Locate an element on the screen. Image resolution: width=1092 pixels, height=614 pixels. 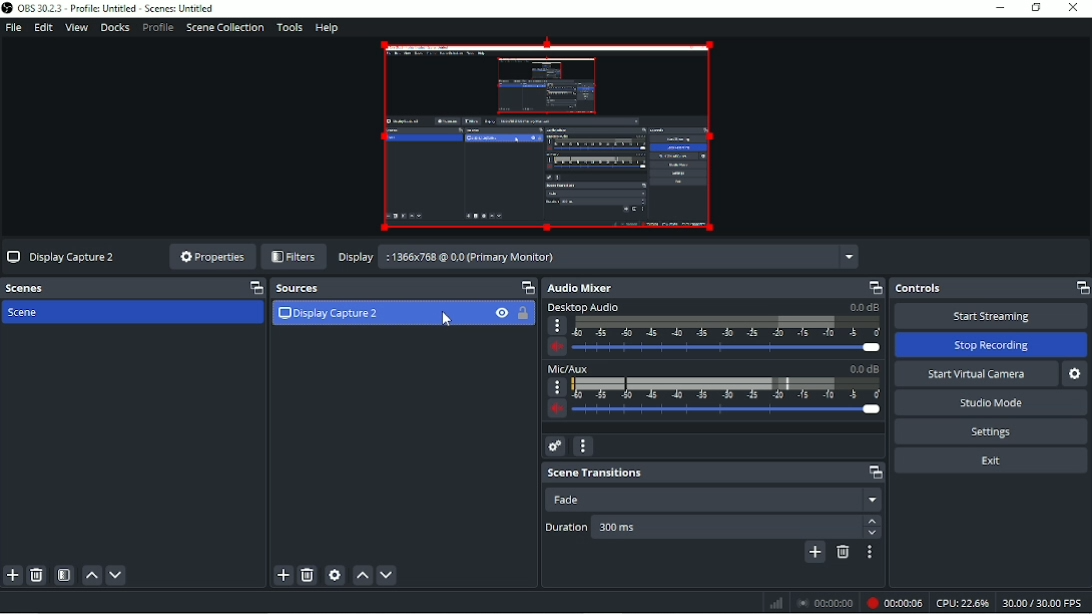
Lock is located at coordinates (525, 314).